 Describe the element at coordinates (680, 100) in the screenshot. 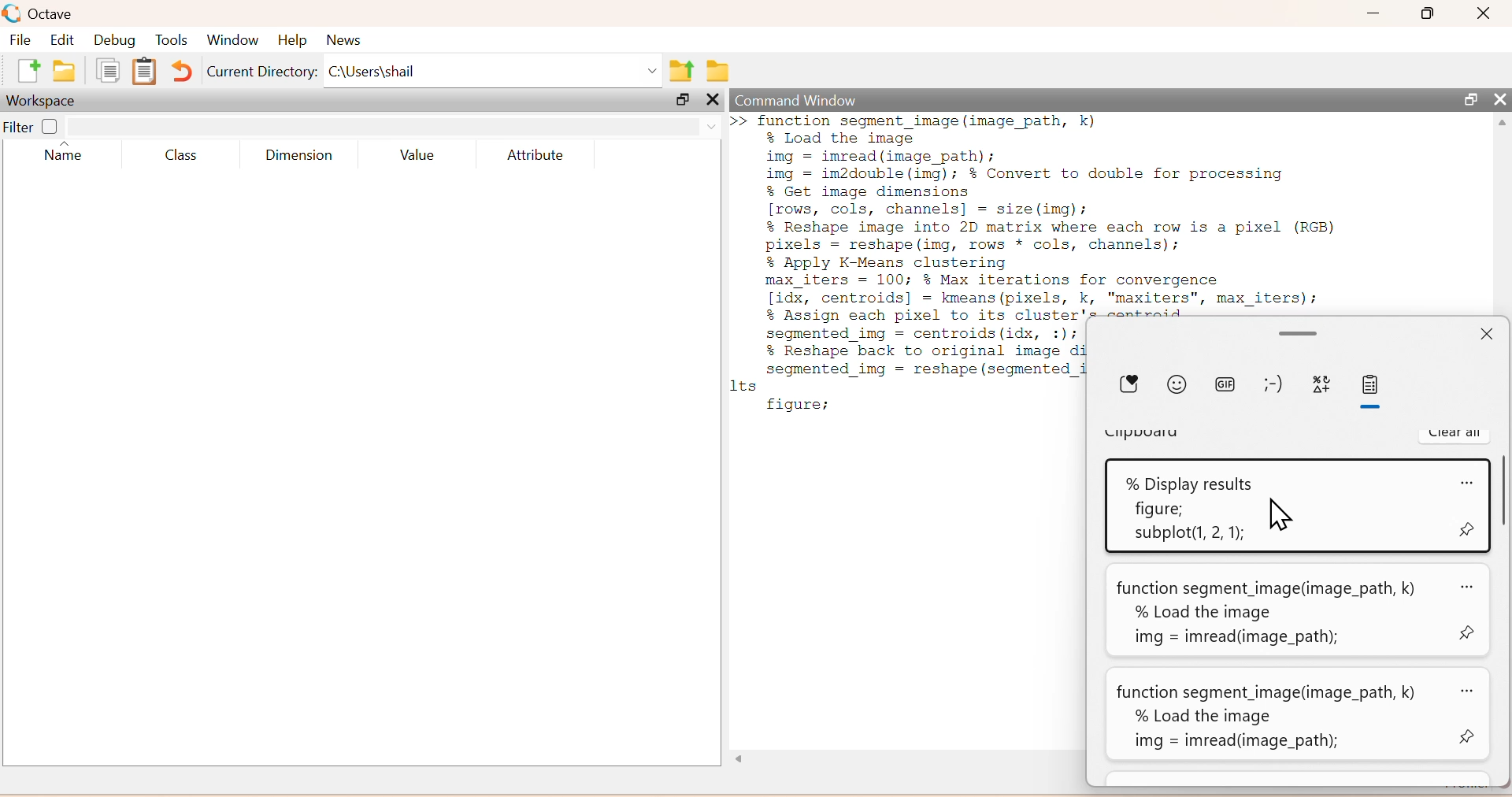

I see `Maximize` at that location.